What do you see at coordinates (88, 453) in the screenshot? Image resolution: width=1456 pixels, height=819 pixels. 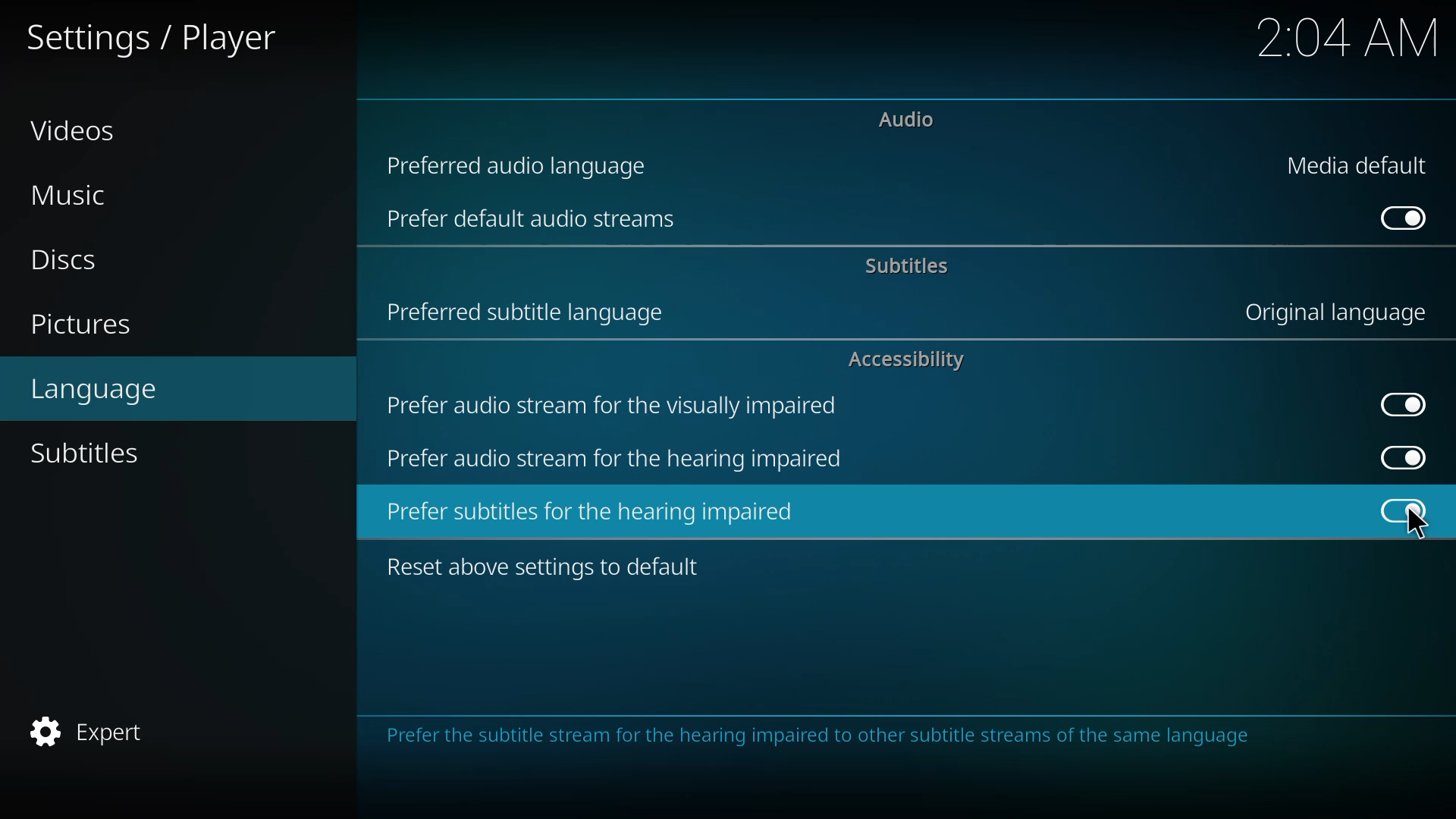 I see `subtitles` at bounding box center [88, 453].